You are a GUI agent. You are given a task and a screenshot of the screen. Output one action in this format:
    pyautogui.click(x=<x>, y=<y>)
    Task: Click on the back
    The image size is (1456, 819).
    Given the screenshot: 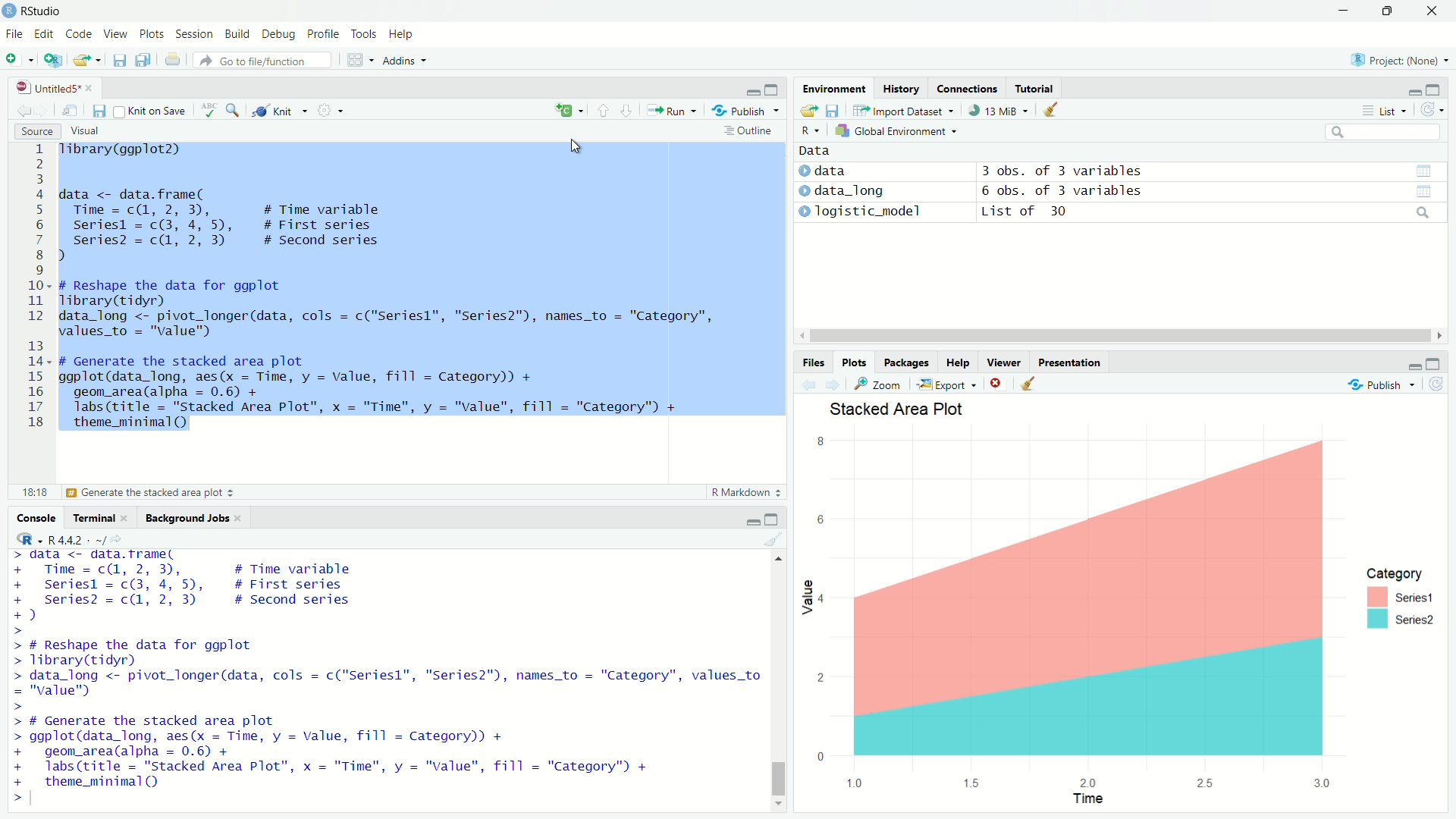 What is the action you would take?
    pyautogui.click(x=25, y=108)
    